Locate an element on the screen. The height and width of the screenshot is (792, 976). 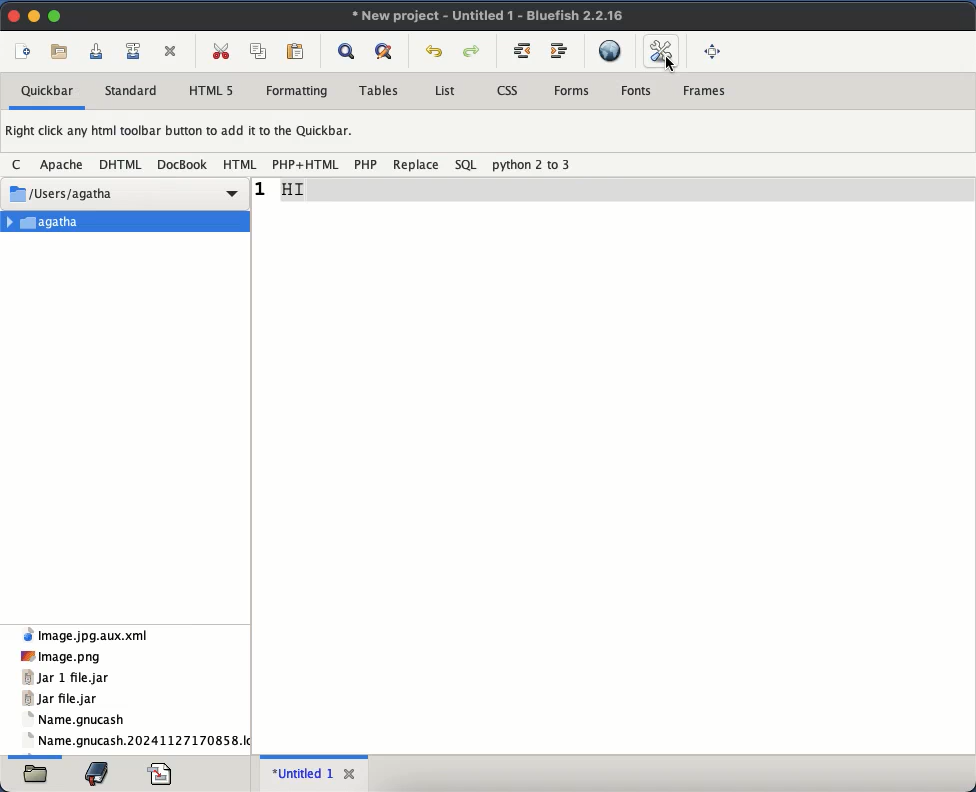
php is located at coordinates (367, 165).